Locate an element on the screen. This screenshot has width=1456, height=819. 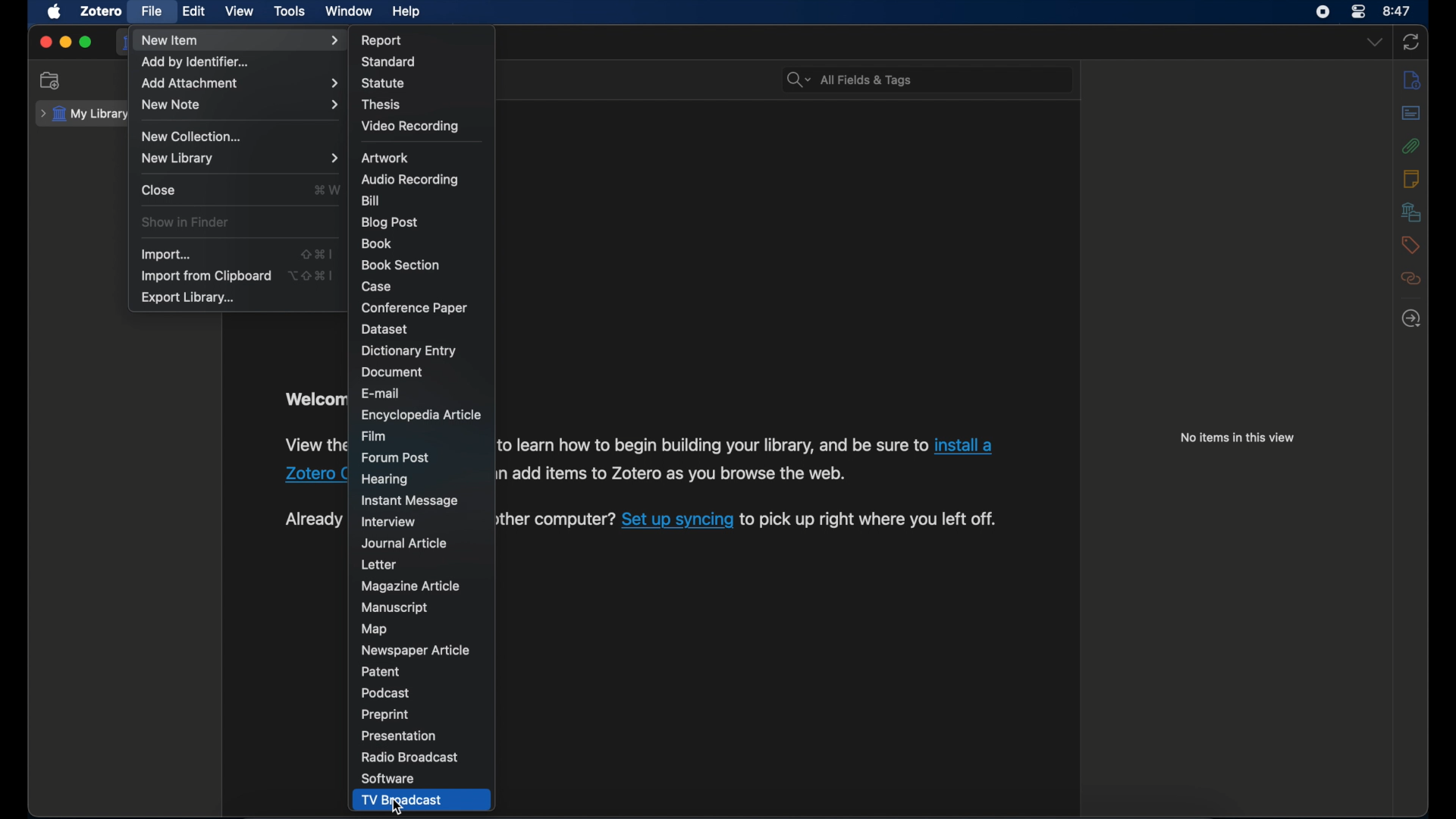
e-mail is located at coordinates (381, 393).